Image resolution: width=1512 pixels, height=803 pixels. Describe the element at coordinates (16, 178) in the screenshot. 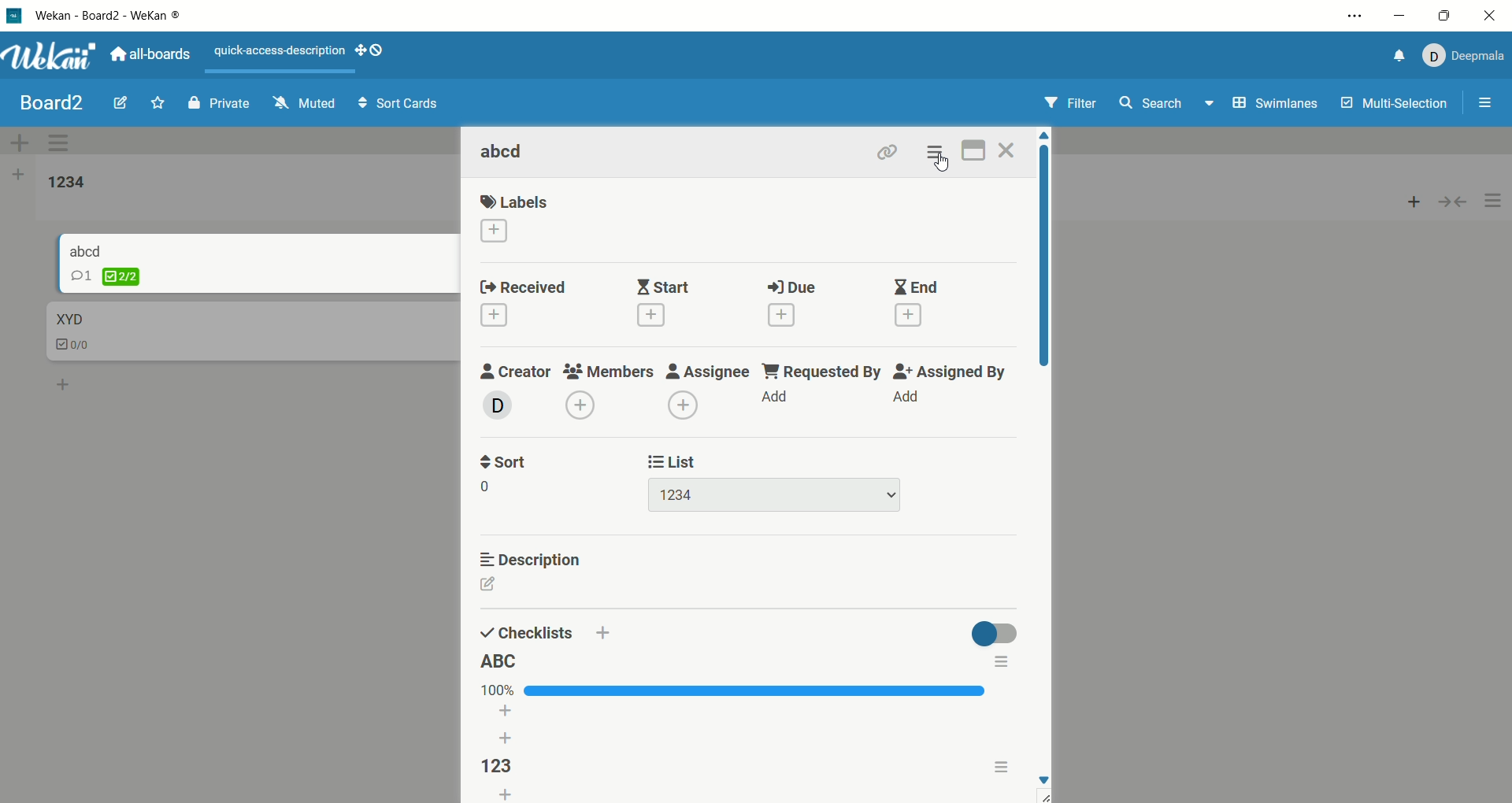

I see `add list` at that location.